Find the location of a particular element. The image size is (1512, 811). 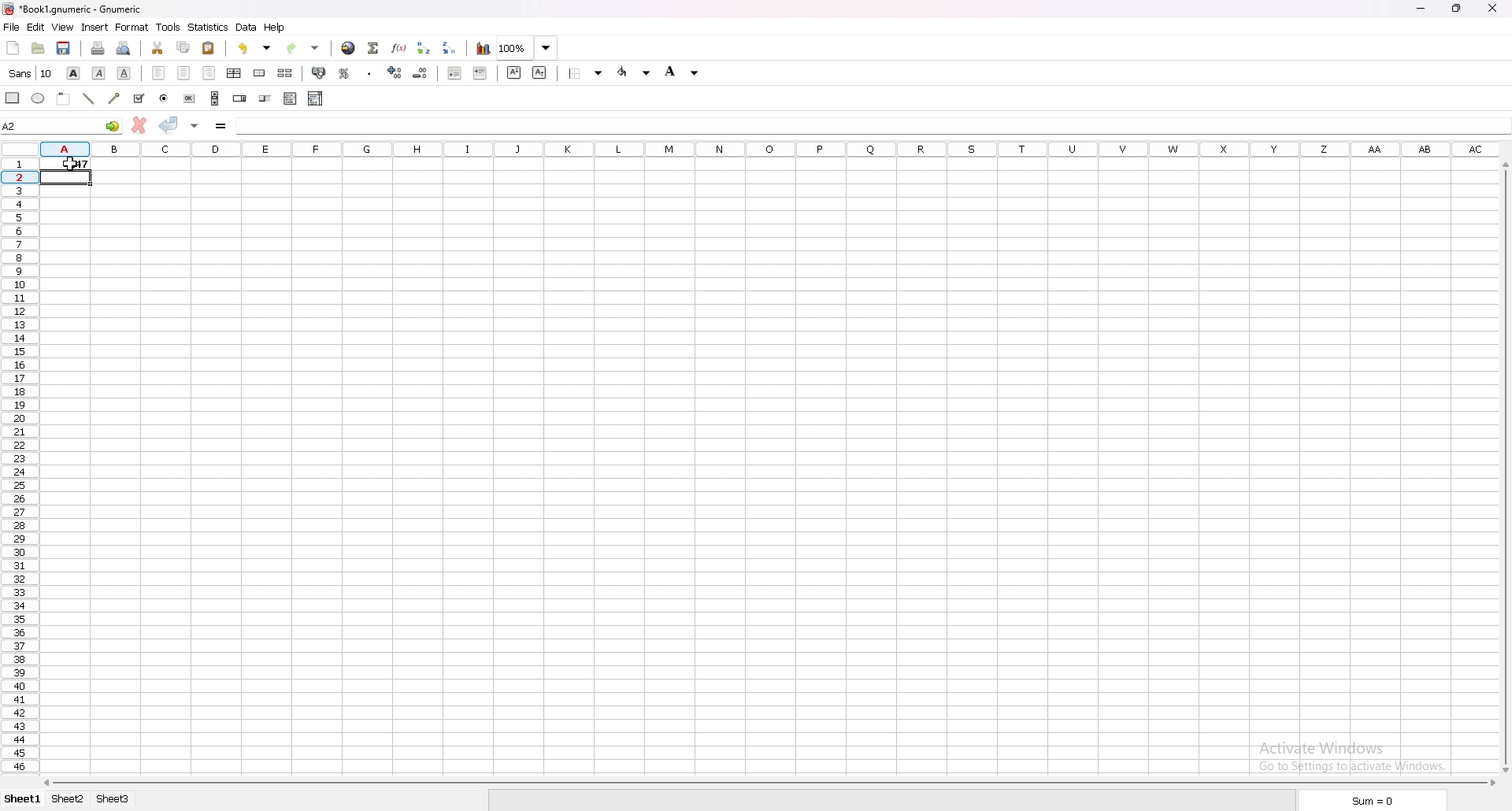

decrease decimal is located at coordinates (421, 73).